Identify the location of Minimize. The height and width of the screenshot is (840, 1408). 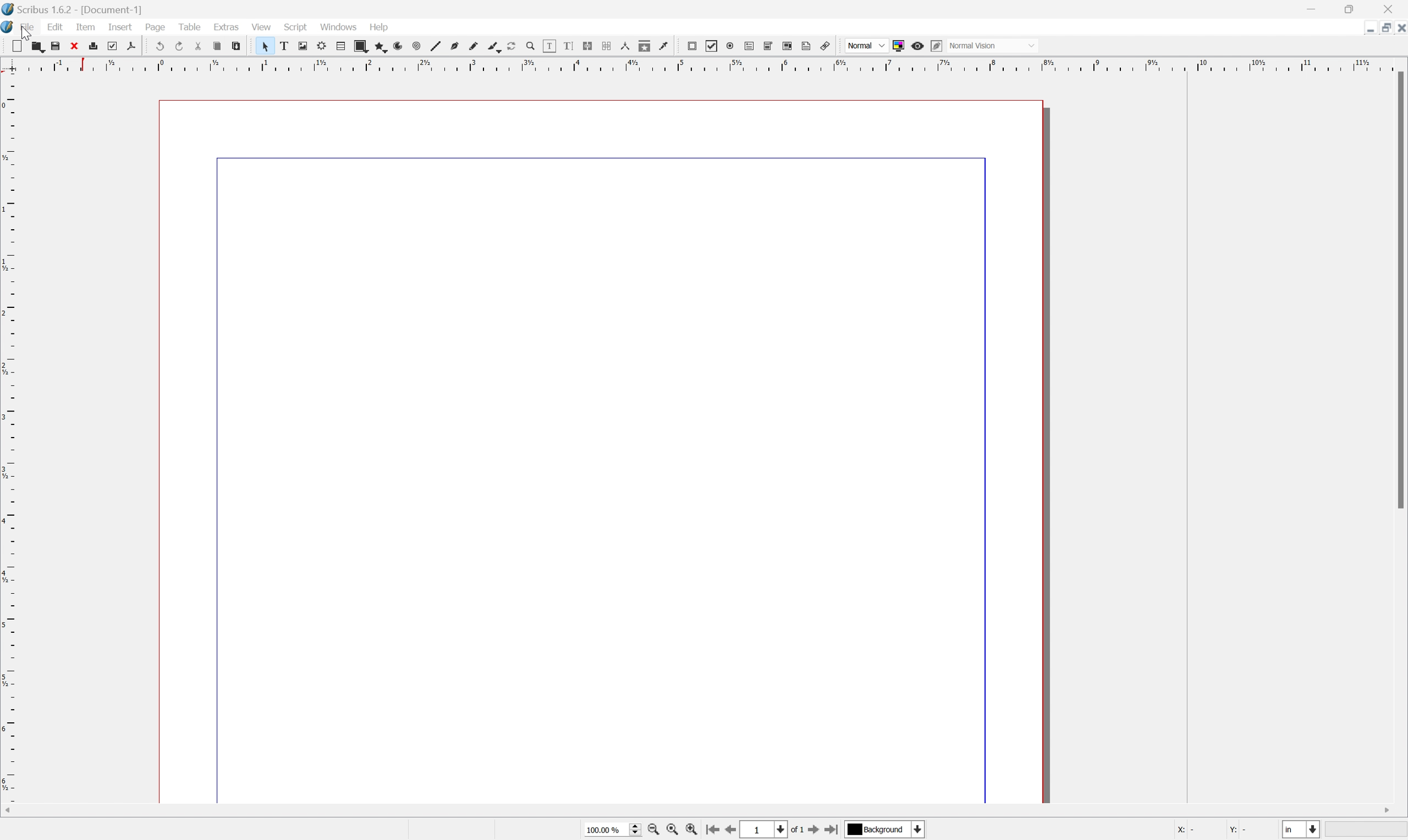
(1360, 27).